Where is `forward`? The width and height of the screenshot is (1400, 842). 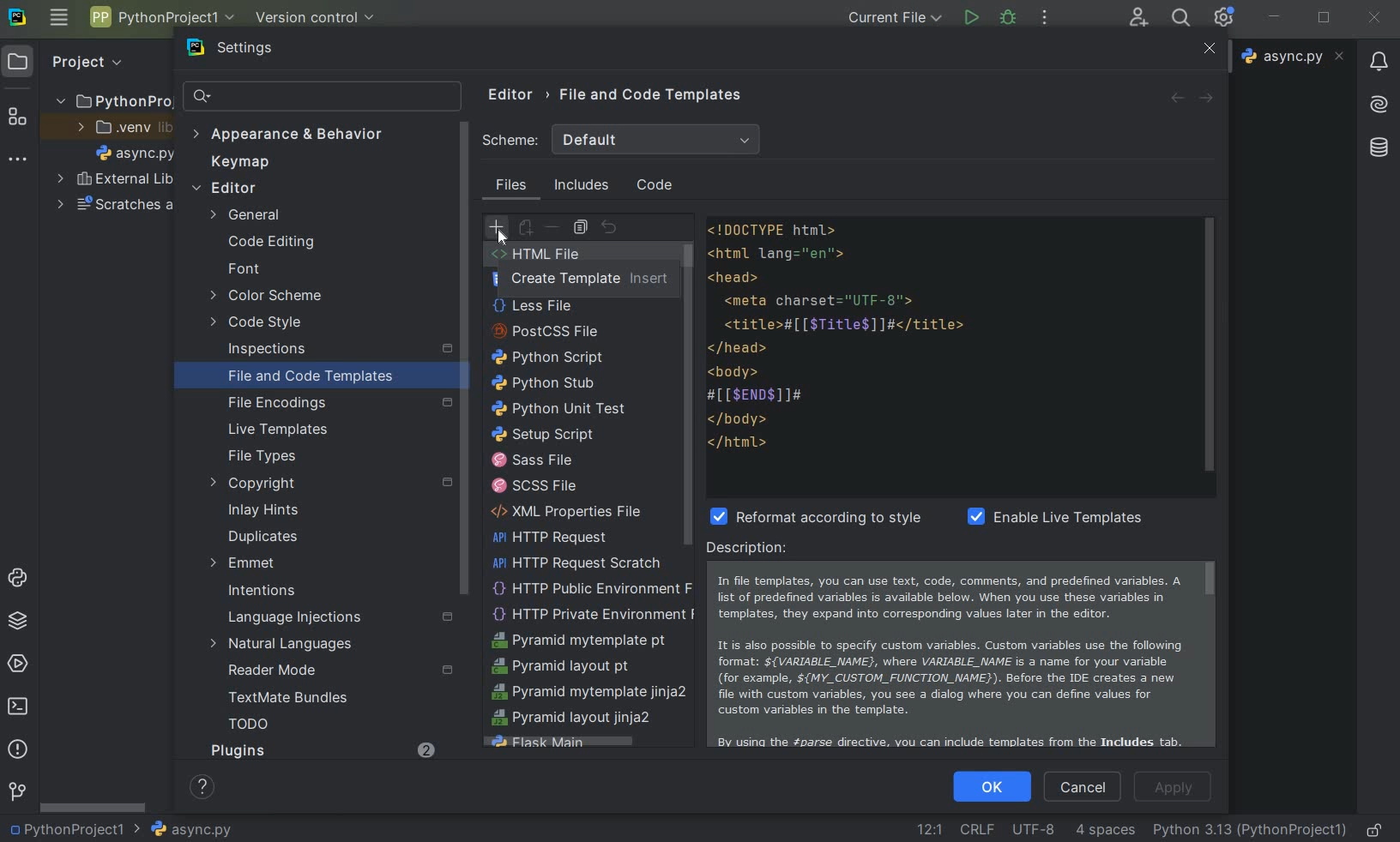
forward is located at coordinates (1206, 99).